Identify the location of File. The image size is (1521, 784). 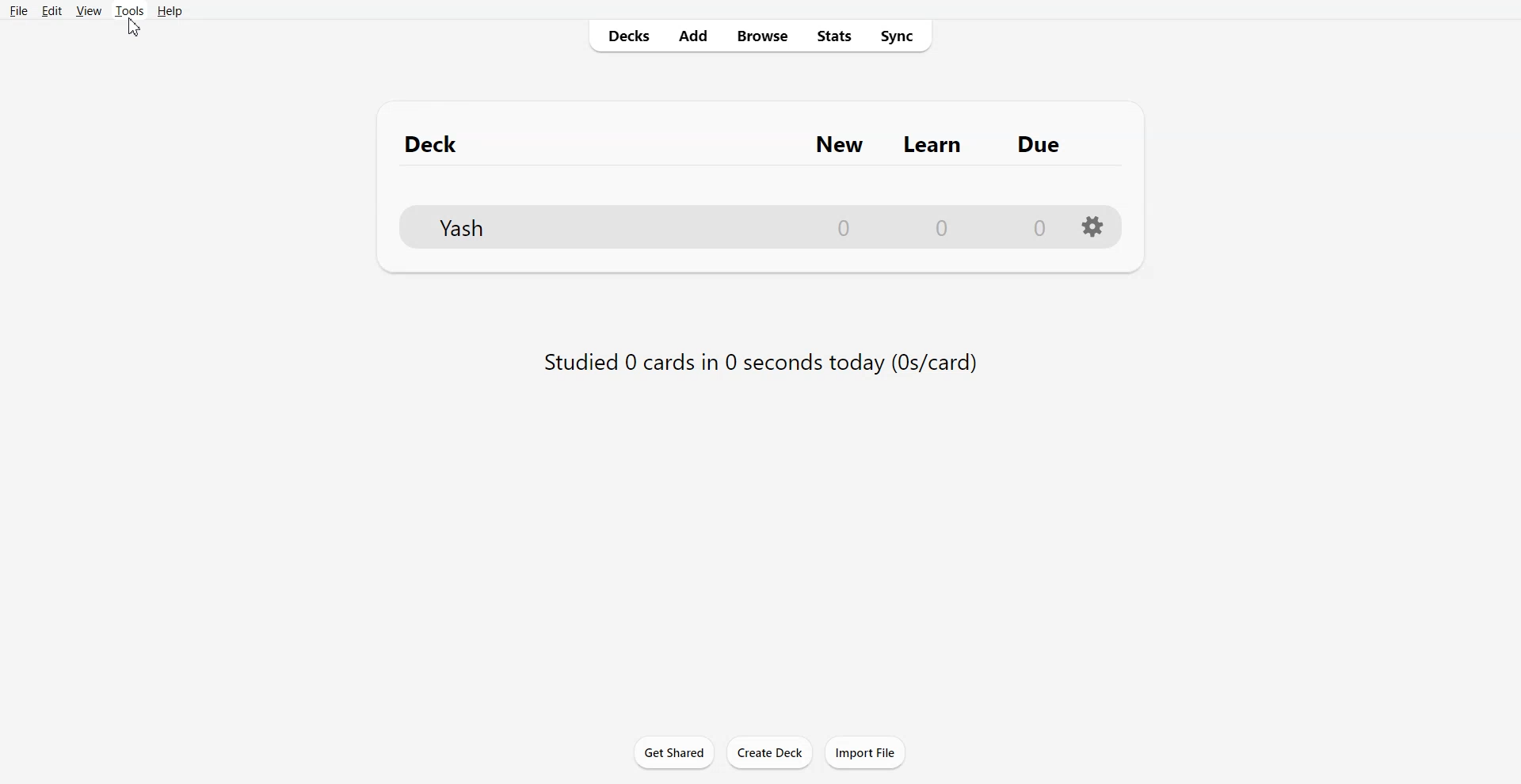
(734, 227).